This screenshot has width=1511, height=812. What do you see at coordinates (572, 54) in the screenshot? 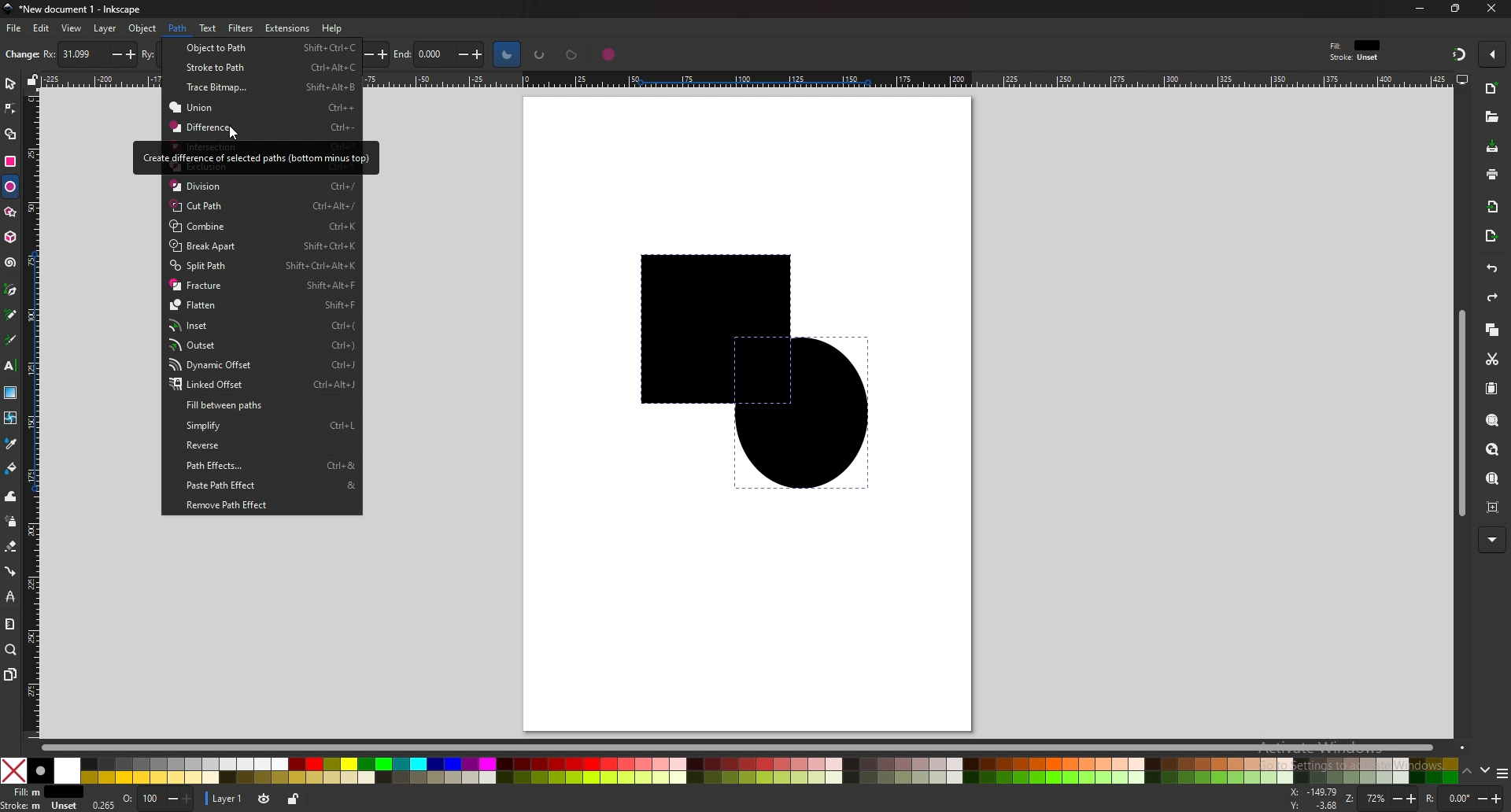
I see `chord` at bounding box center [572, 54].